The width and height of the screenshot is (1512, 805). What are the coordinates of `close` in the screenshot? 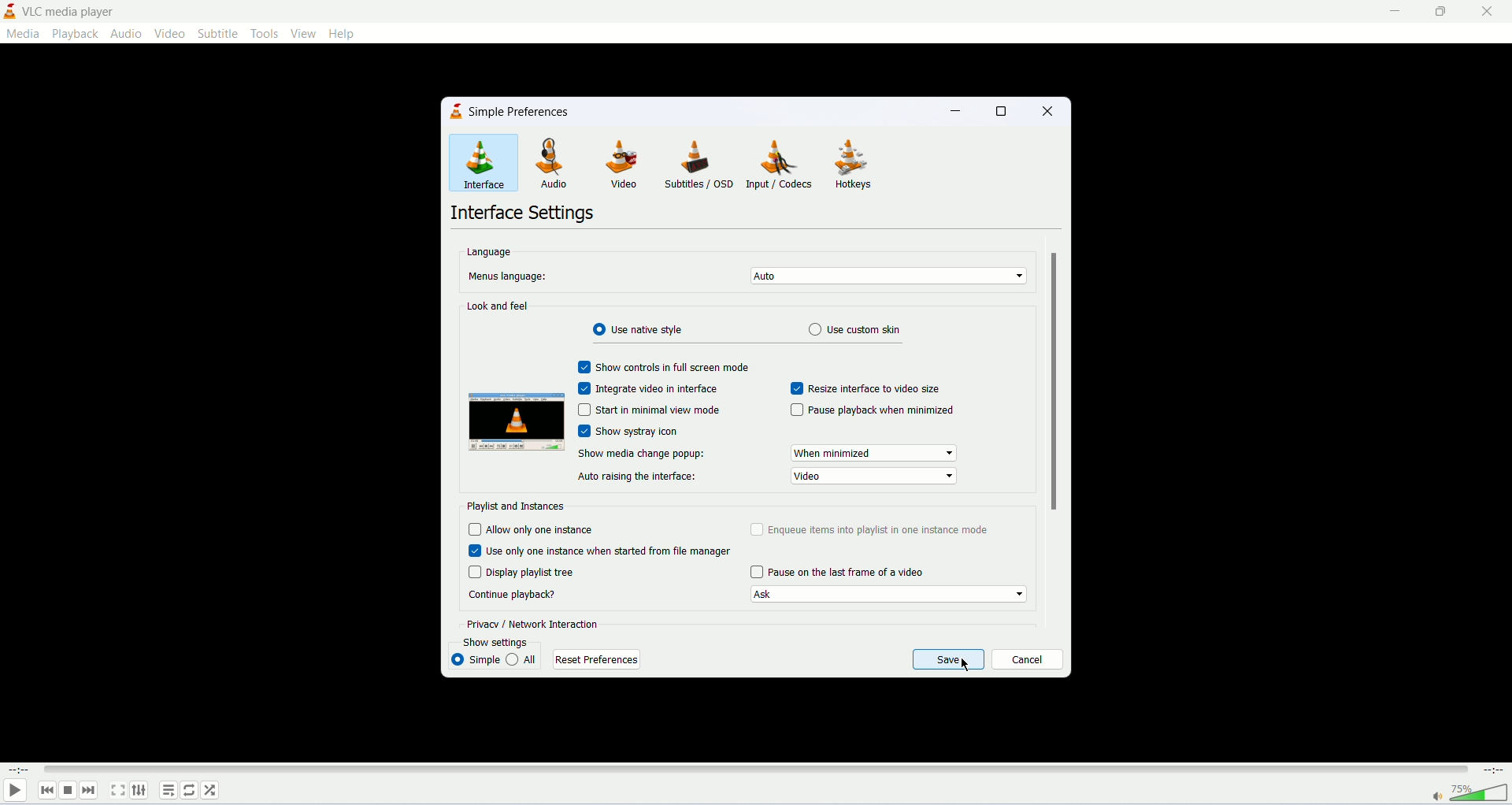 It's located at (1043, 110).